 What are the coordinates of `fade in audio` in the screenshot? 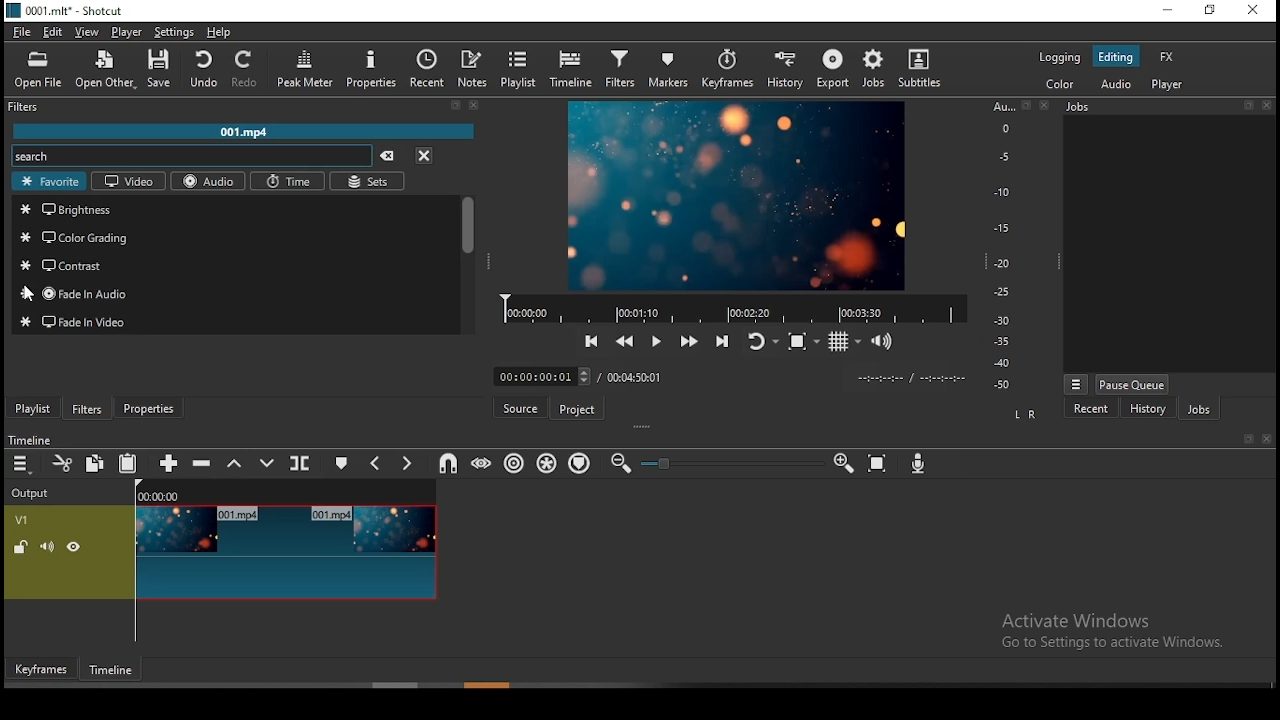 It's located at (236, 295).